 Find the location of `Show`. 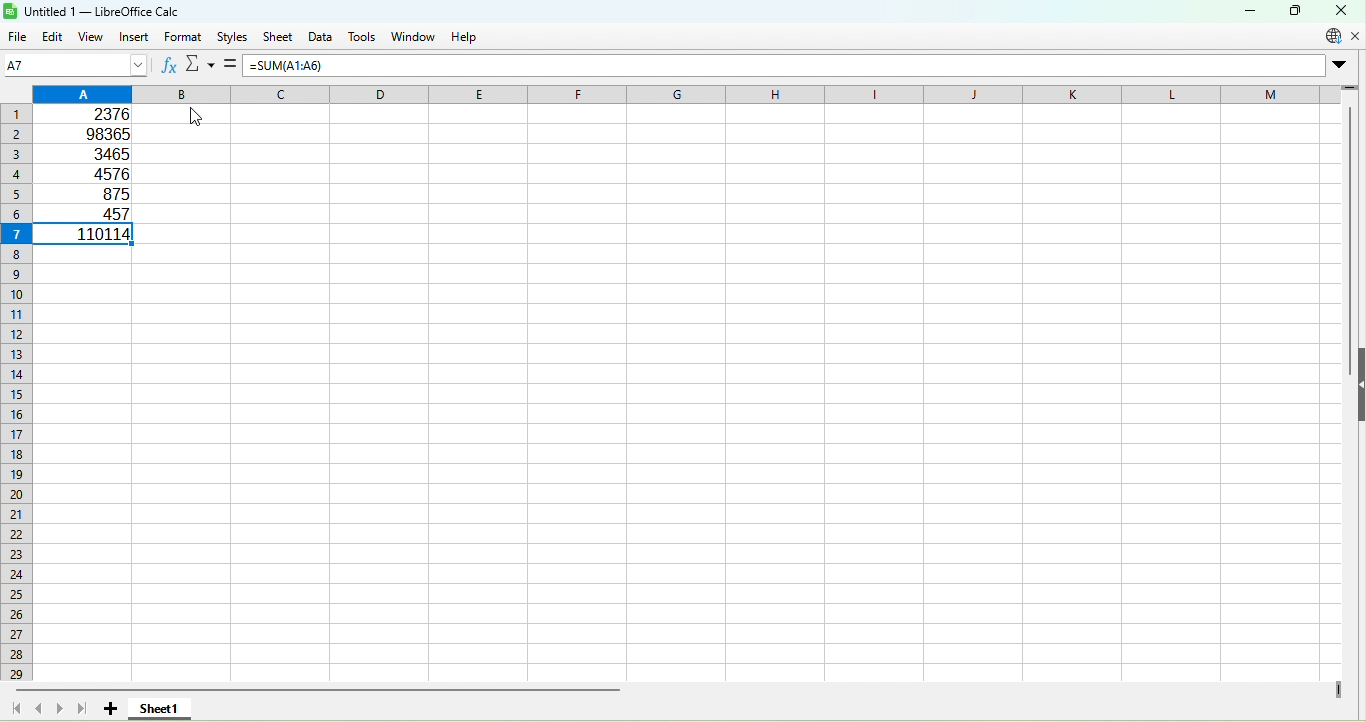

Show is located at coordinates (1359, 384).